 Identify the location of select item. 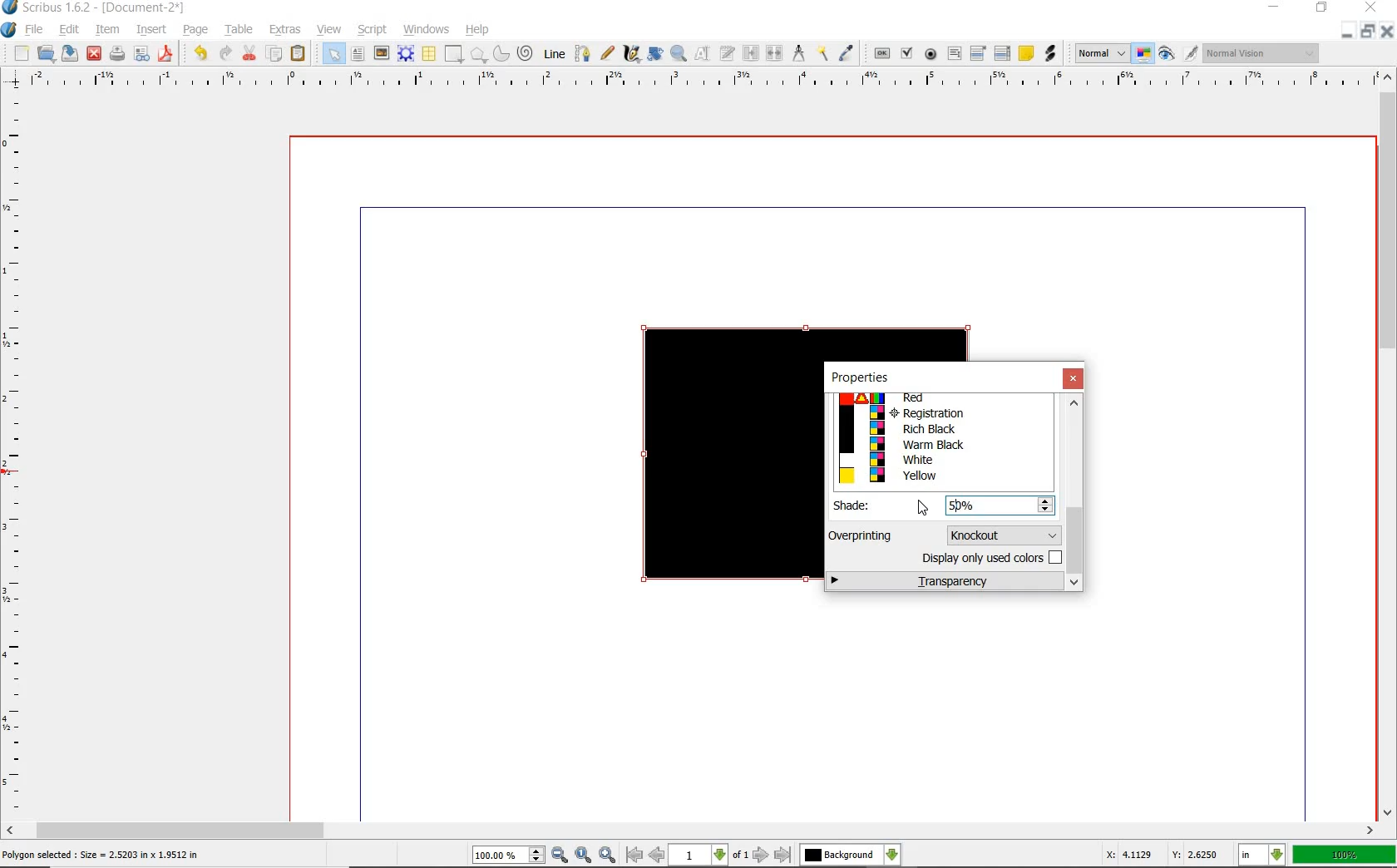
(329, 54).